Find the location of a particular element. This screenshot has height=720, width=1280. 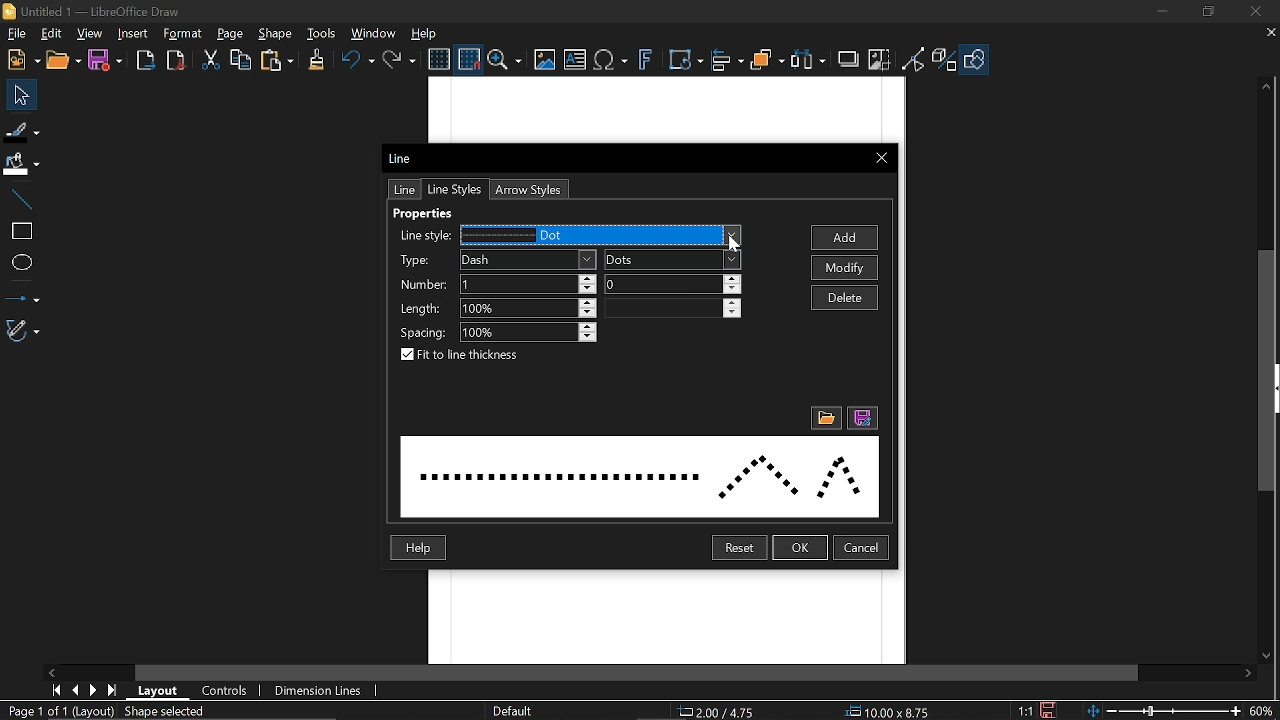

Open is located at coordinates (62, 61).